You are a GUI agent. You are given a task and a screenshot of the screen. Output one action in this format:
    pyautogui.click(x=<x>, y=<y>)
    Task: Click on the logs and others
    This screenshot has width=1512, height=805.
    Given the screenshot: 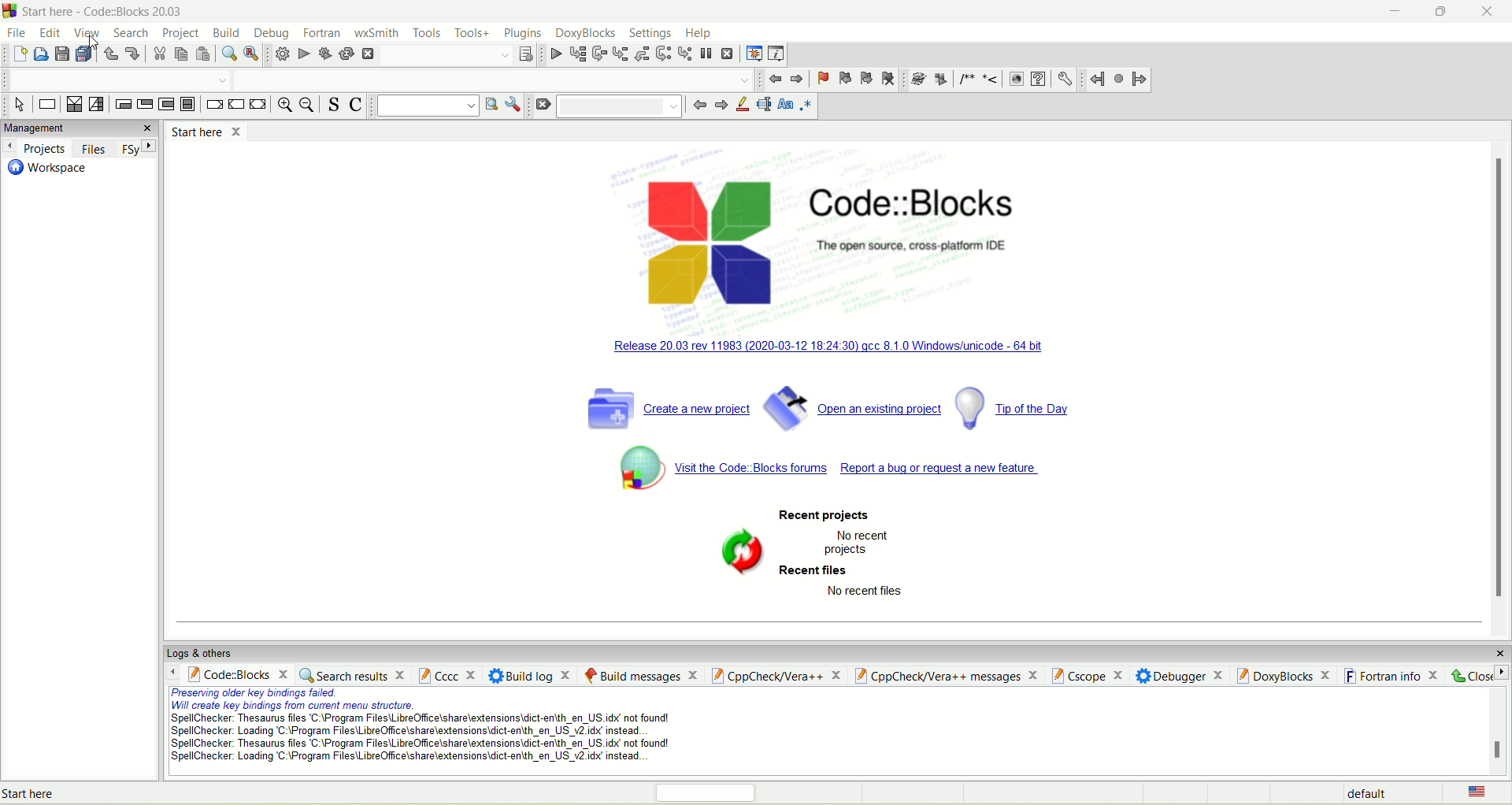 What is the action you would take?
    pyautogui.click(x=207, y=652)
    